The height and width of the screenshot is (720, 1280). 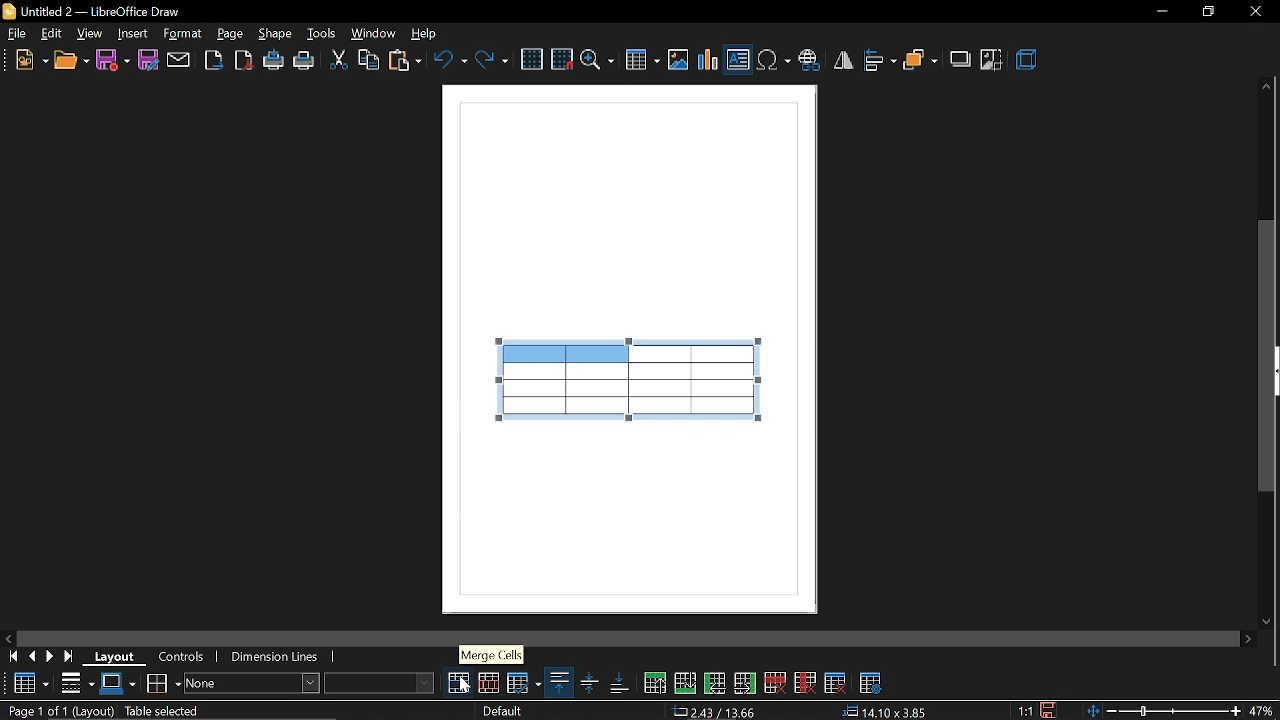 What do you see at coordinates (1250, 638) in the screenshot?
I see `move right` at bounding box center [1250, 638].